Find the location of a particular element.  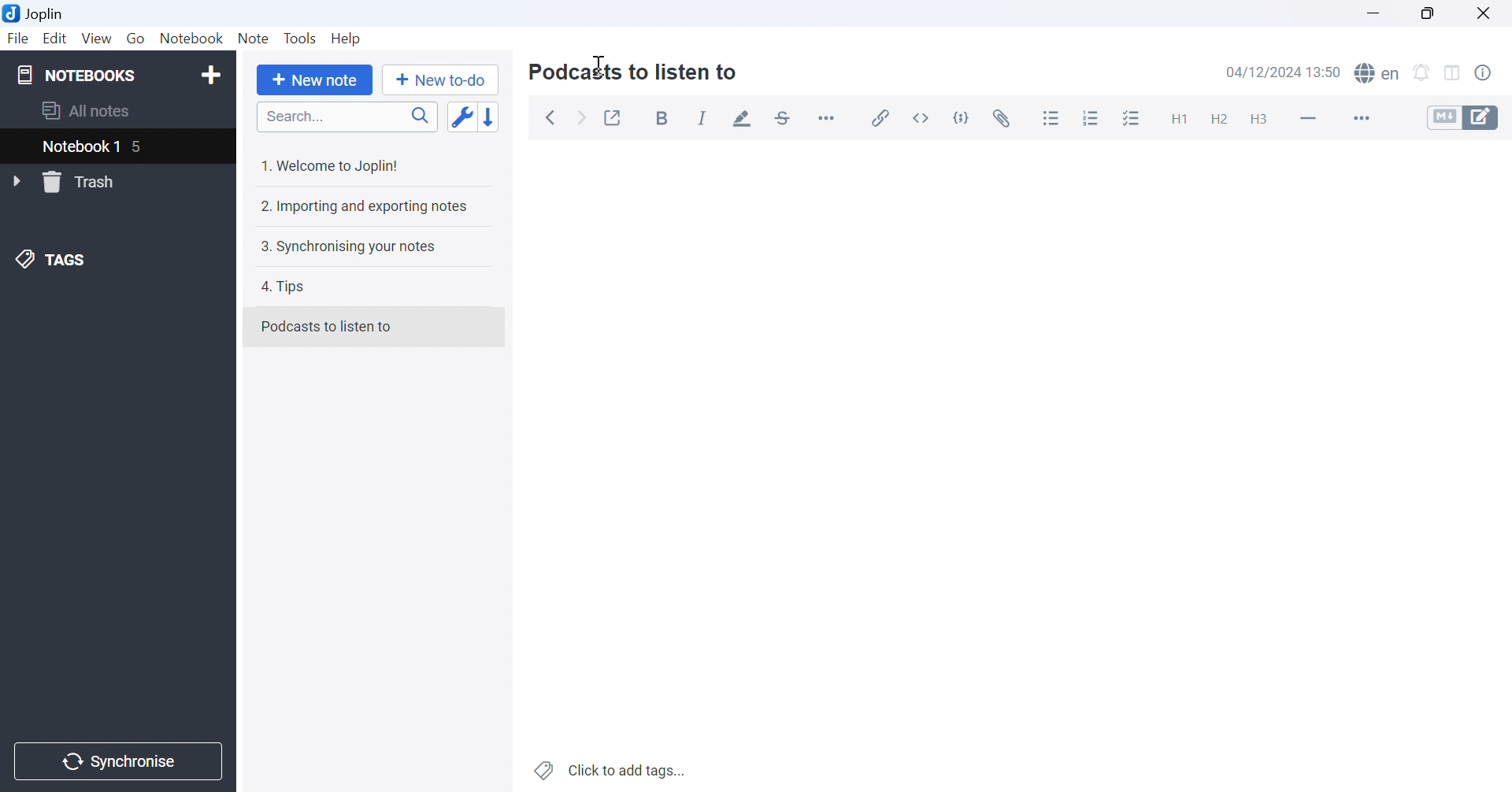

Note properties is located at coordinates (1492, 76).